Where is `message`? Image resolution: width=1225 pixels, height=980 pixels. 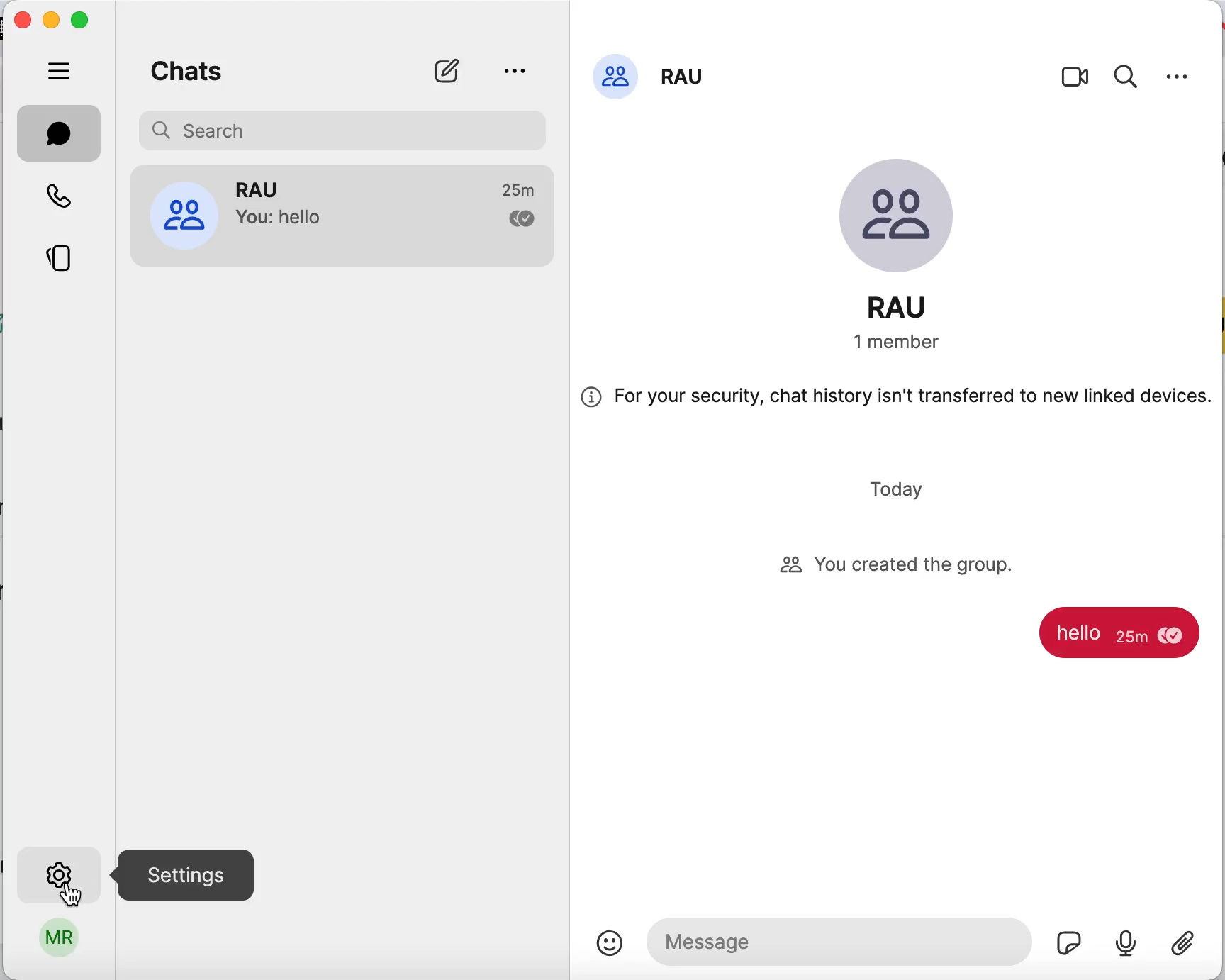
message is located at coordinates (1117, 633).